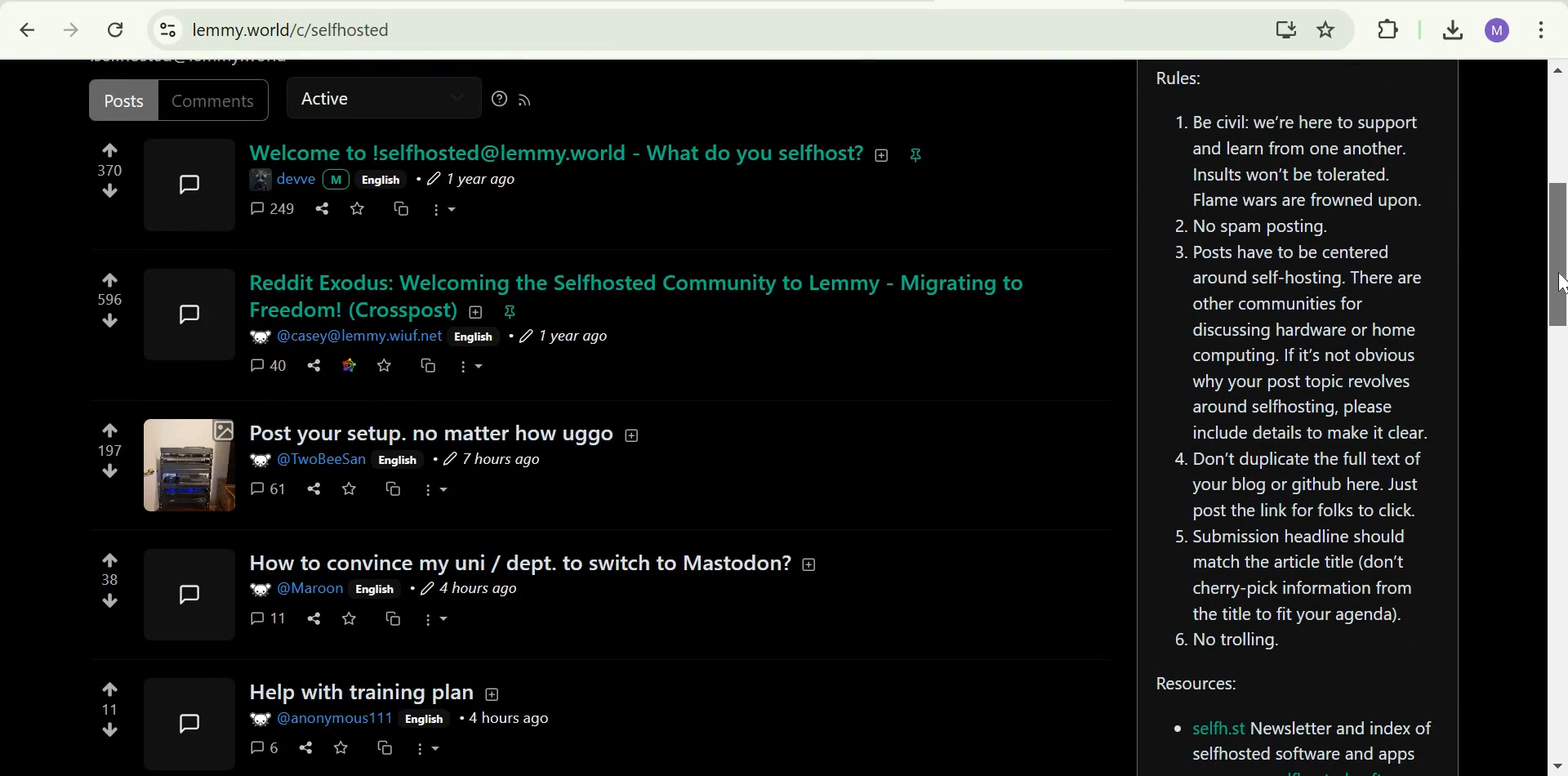  I want to click on English, so click(375, 589).